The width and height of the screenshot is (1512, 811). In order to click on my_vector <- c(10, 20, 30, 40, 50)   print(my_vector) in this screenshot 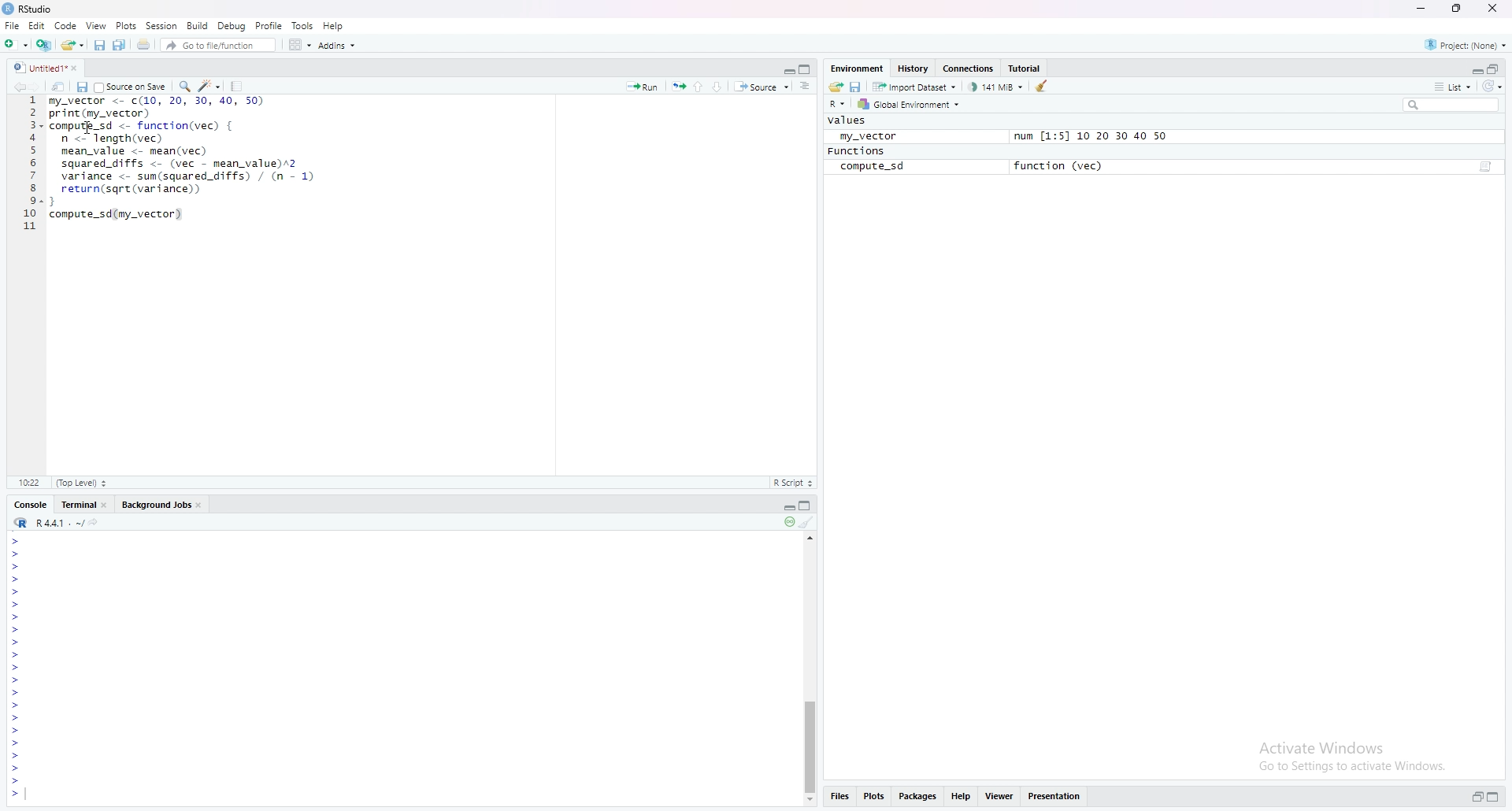, I will do `click(156, 107)`.